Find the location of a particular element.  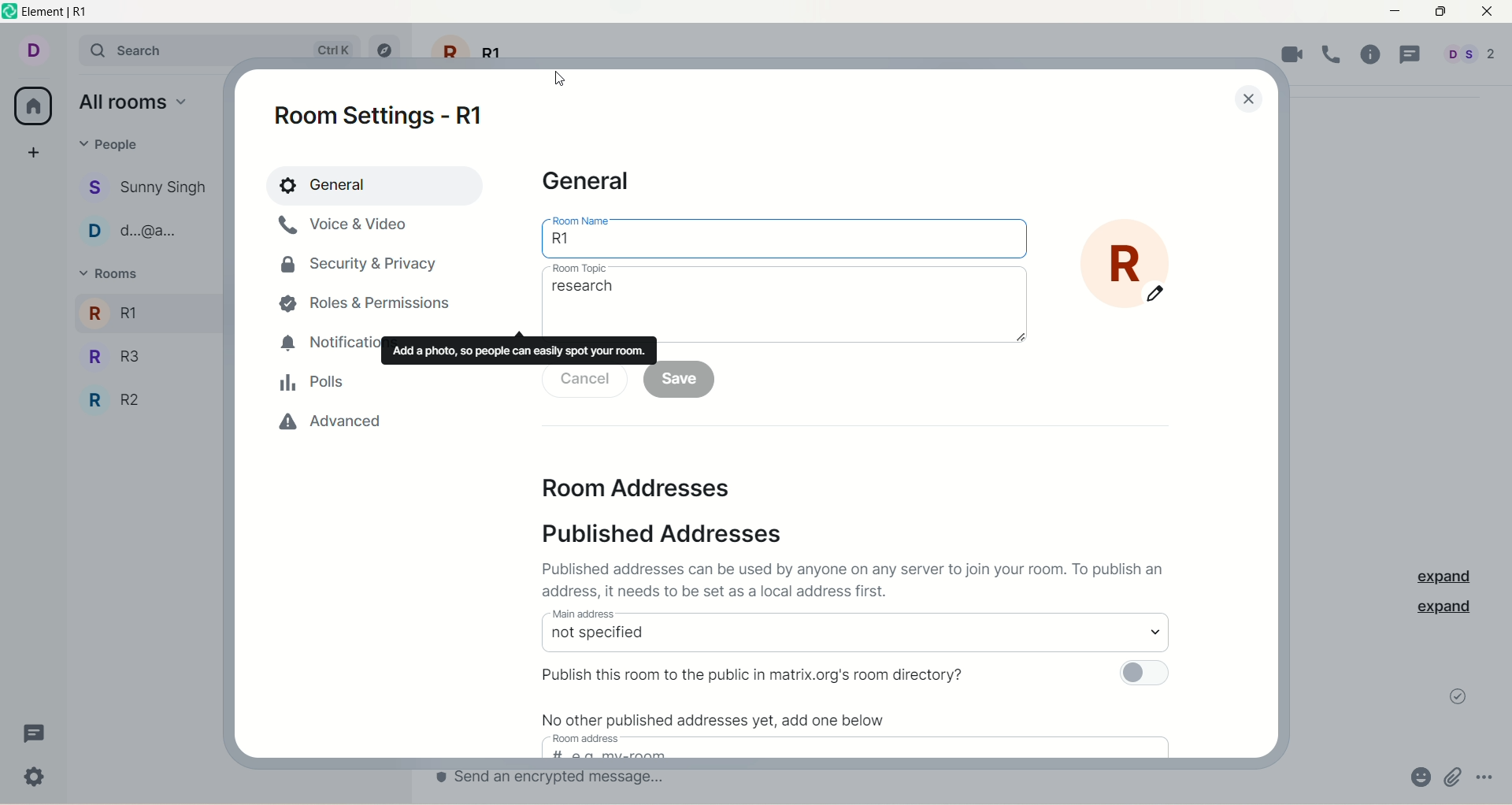

polls is located at coordinates (315, 384).